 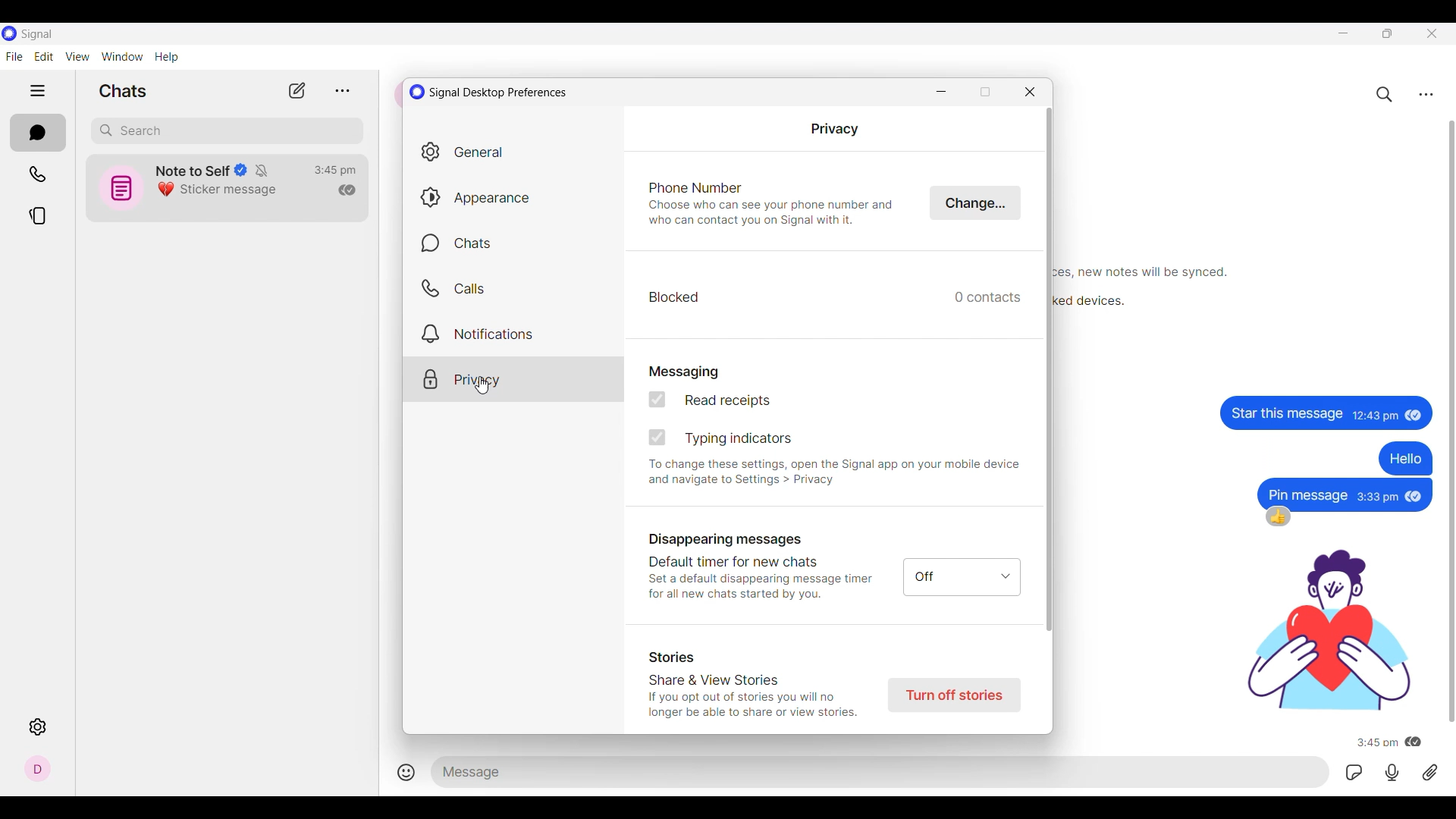 I want to click on Chat settings, so click(x=1426, y=95).